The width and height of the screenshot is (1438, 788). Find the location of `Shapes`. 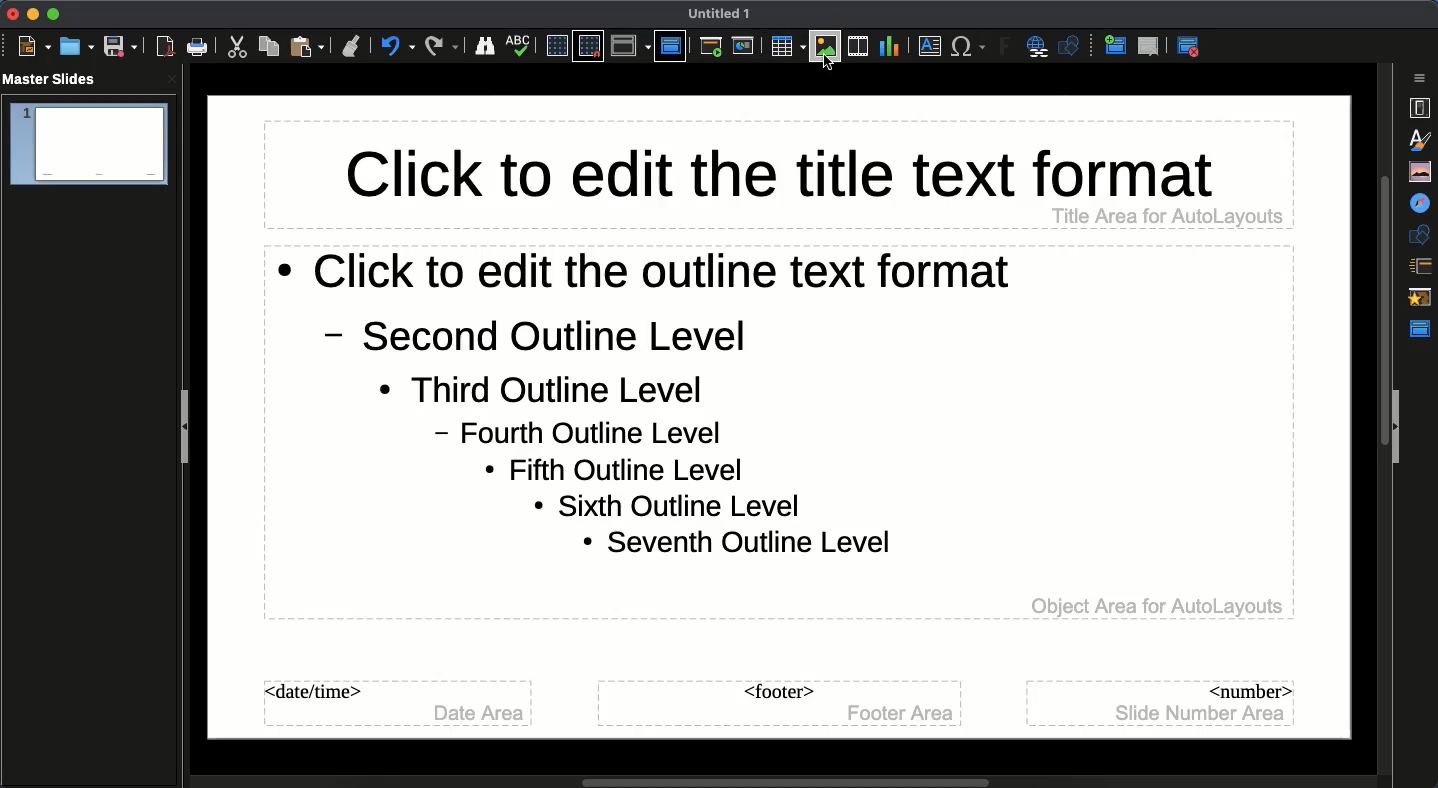

Shapes is located at coordinates (1072, 48).